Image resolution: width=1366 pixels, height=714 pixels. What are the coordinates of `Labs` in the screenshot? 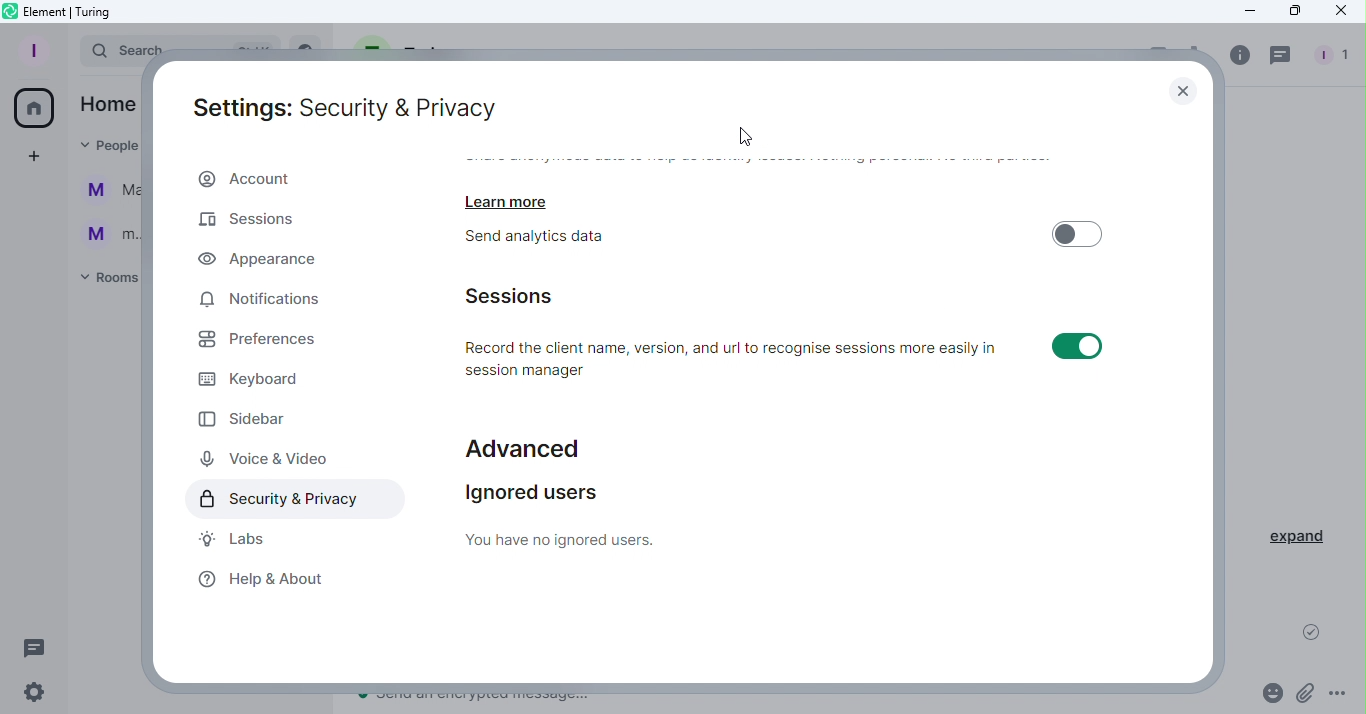 It's located at (233, 539).